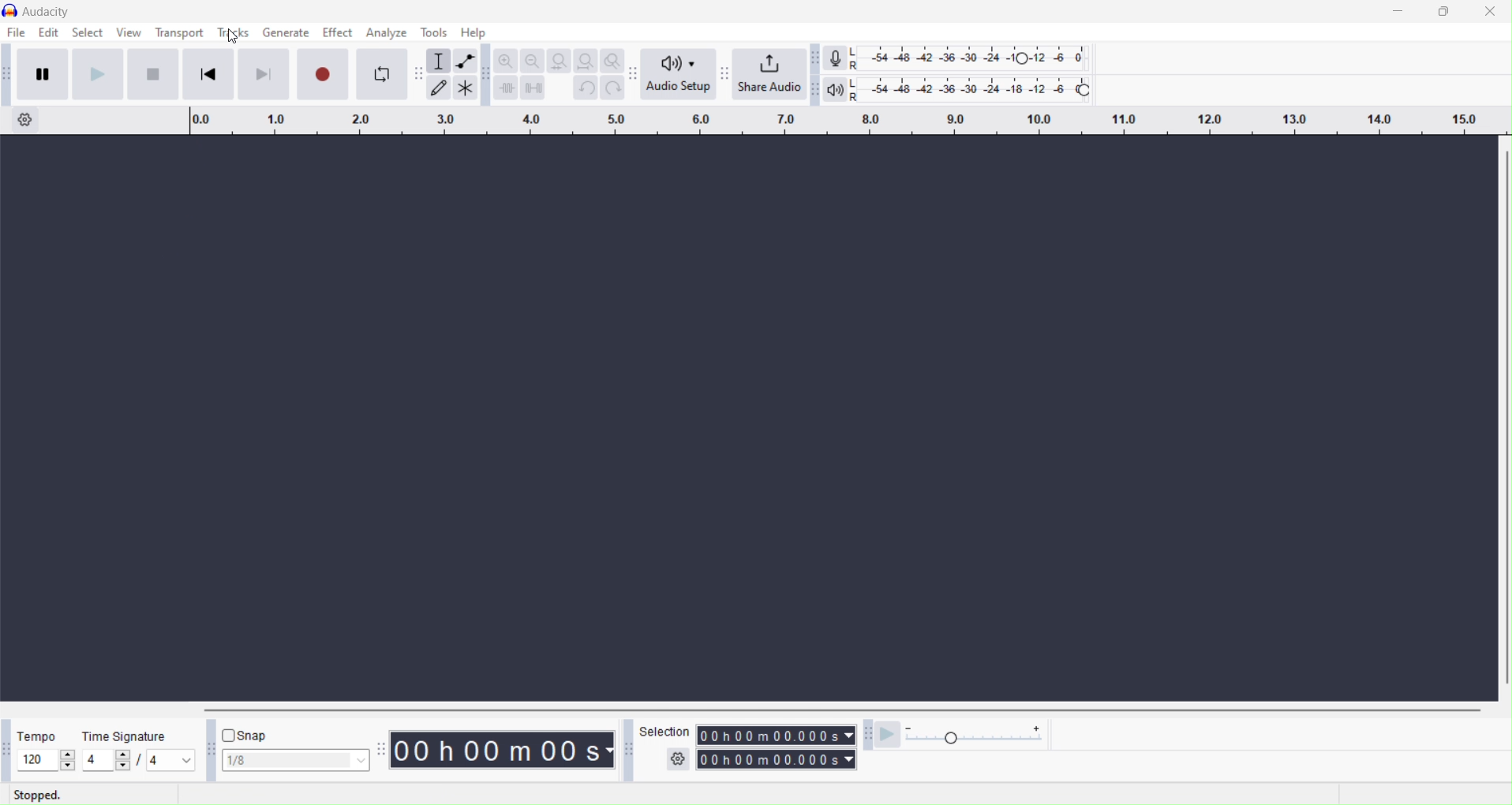 The height and width of the screenshot is (805, 1512). I want to click on Pause, so click(46, 73).